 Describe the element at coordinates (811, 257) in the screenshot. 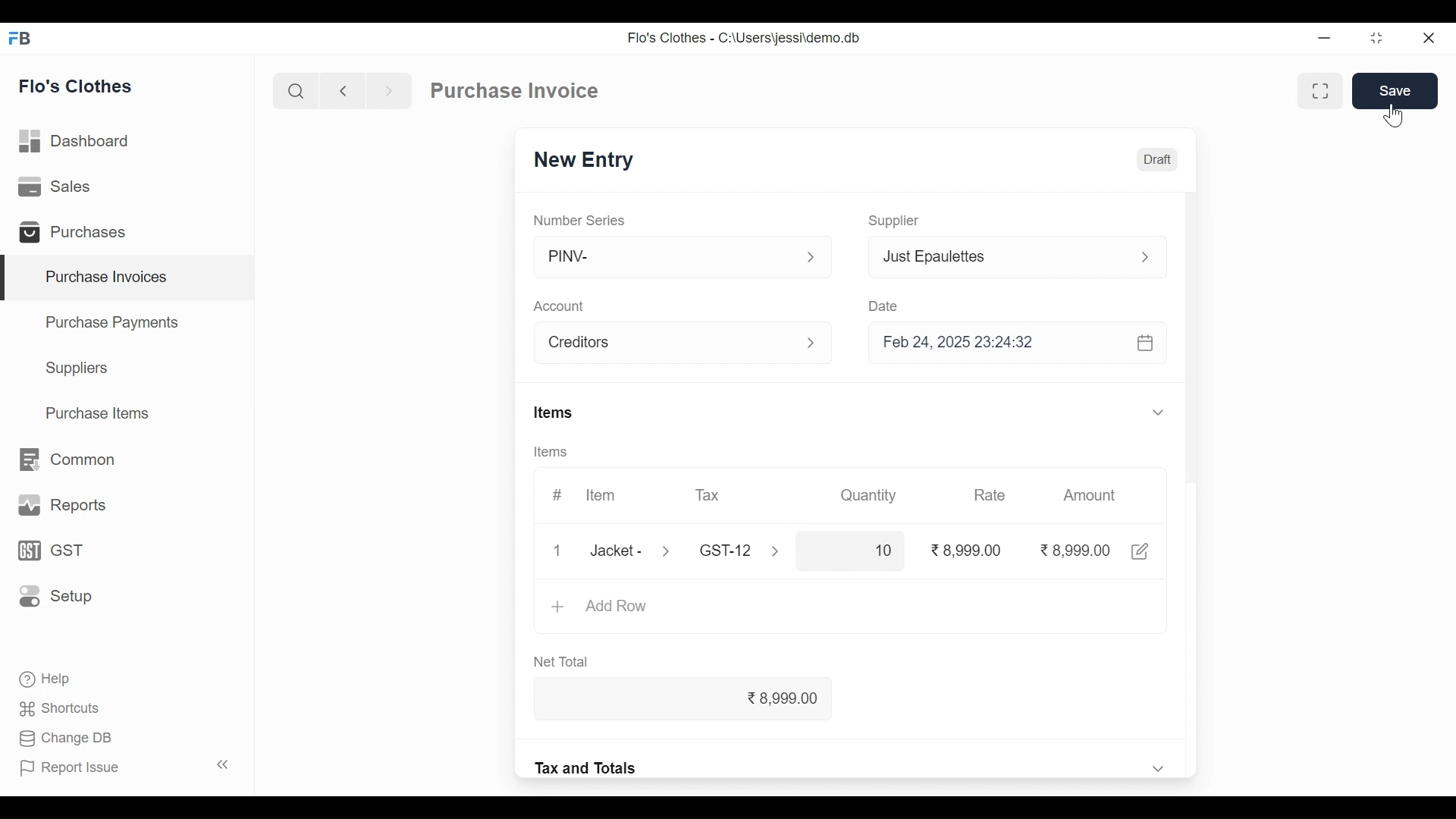

I see `expand` at that location.